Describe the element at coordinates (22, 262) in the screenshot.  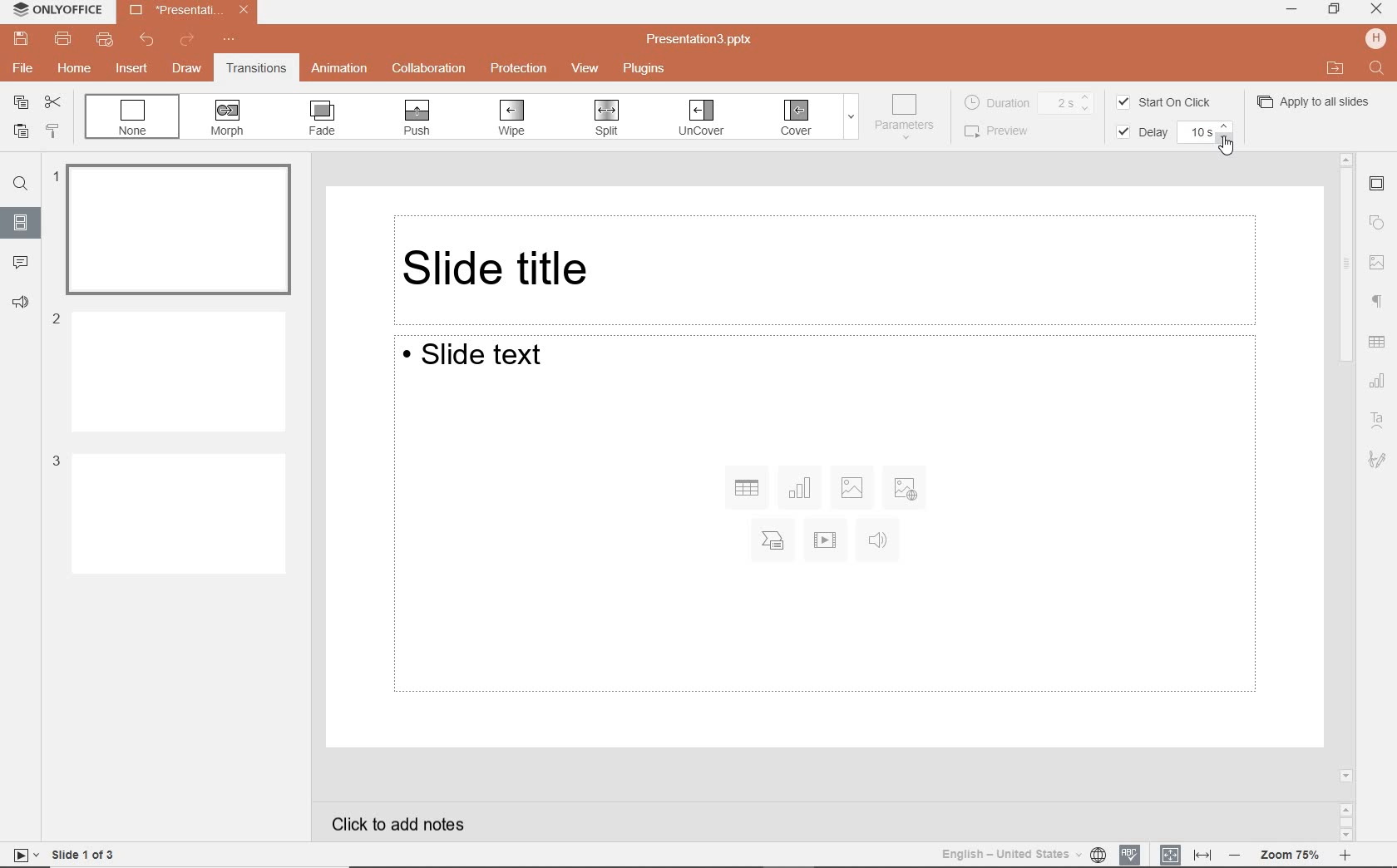
I see `comment` at that location.